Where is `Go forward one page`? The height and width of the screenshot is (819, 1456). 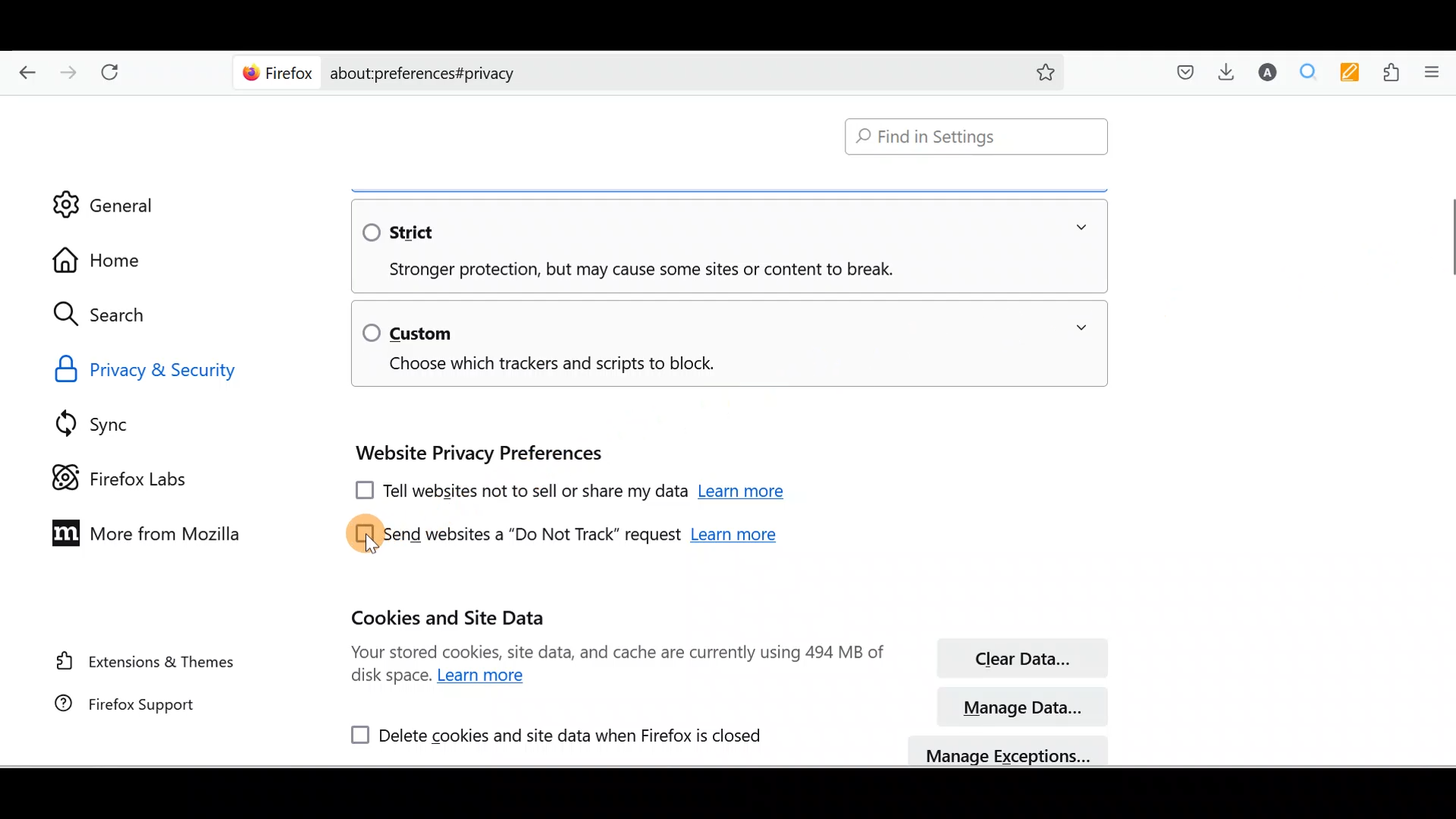 Go forward one page is located at coordinates (69, 66).